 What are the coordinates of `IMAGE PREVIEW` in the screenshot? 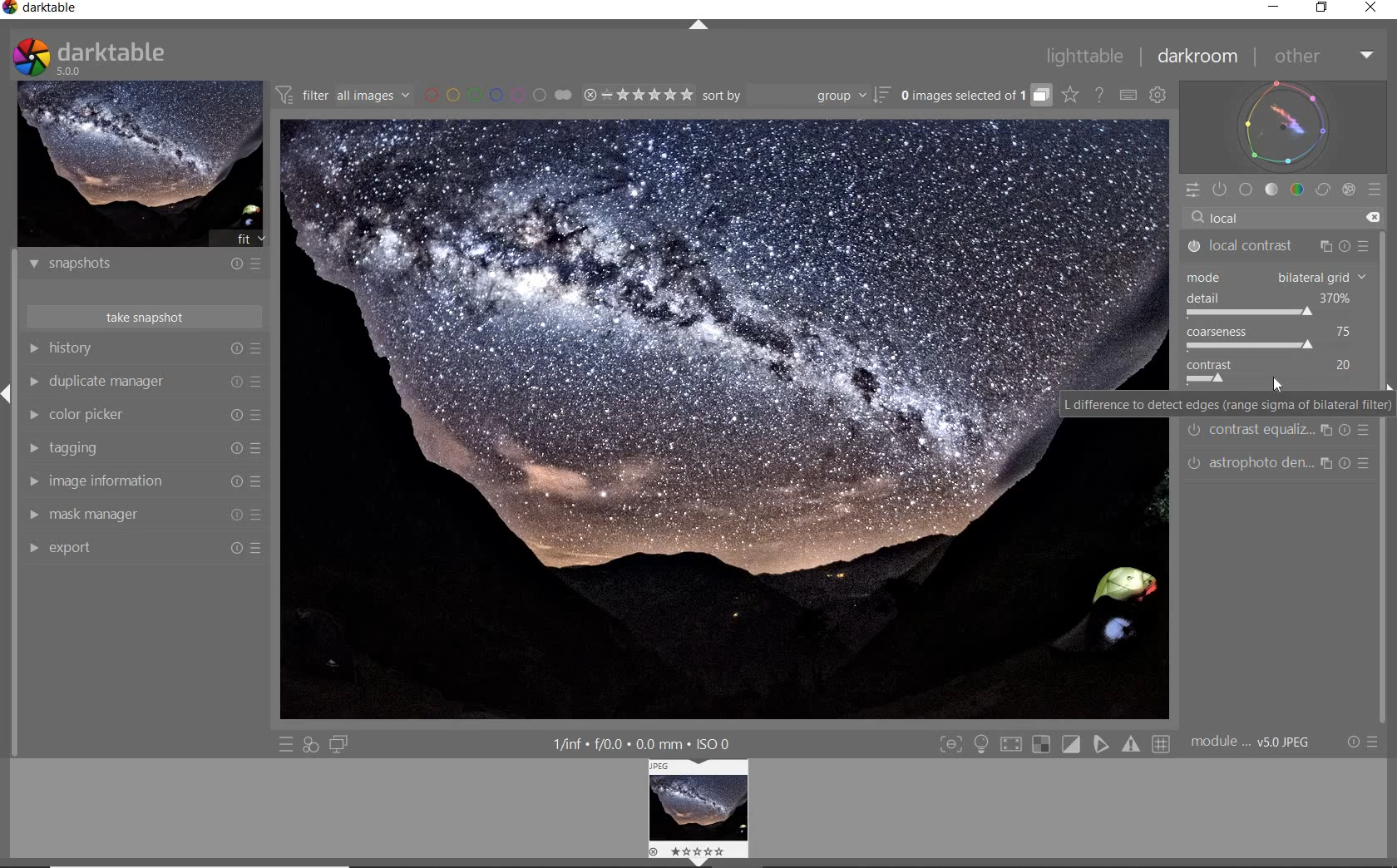 It's located at (141, 165).